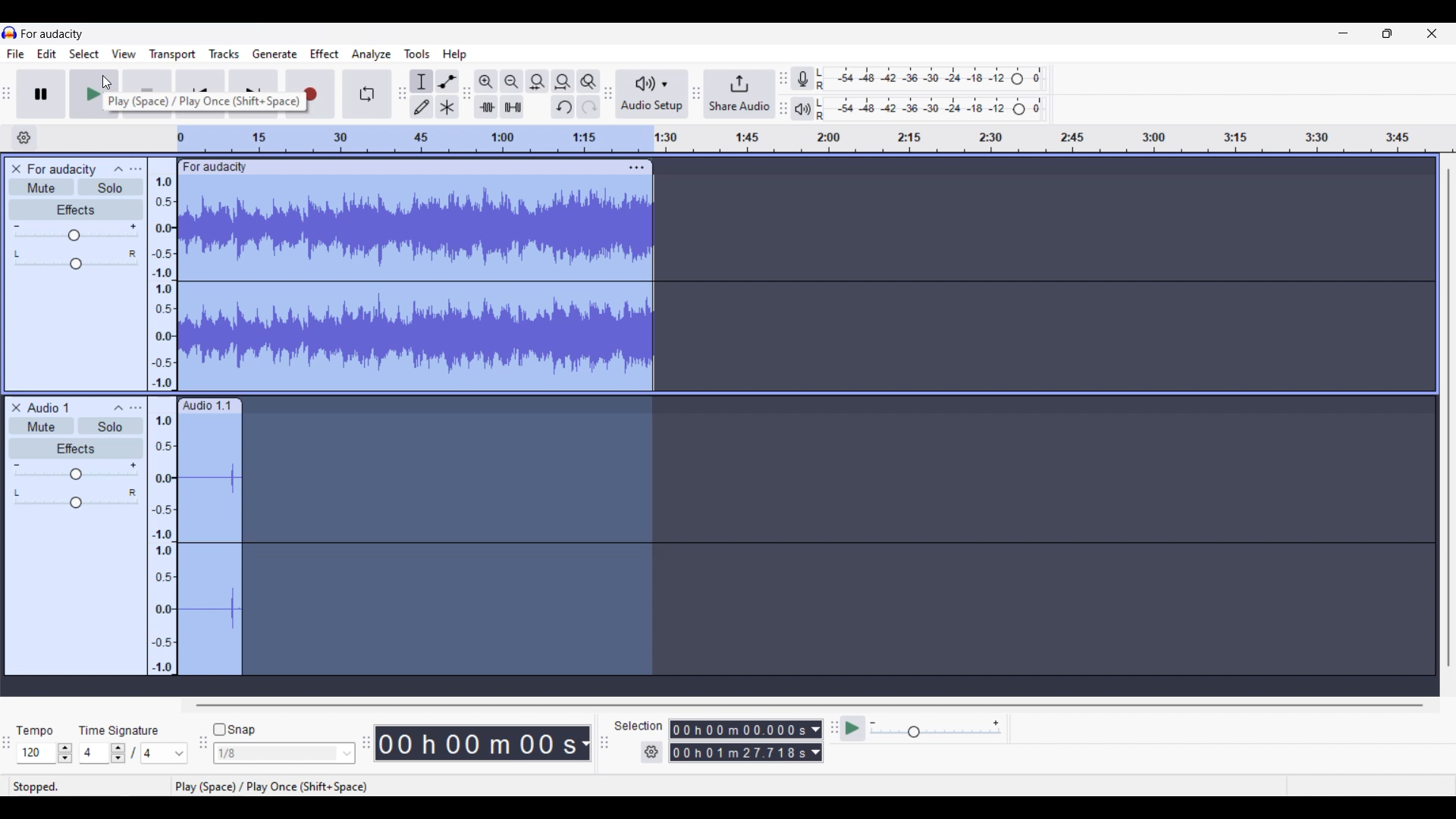  I want to click on Time signature settings, so click(135, 752).